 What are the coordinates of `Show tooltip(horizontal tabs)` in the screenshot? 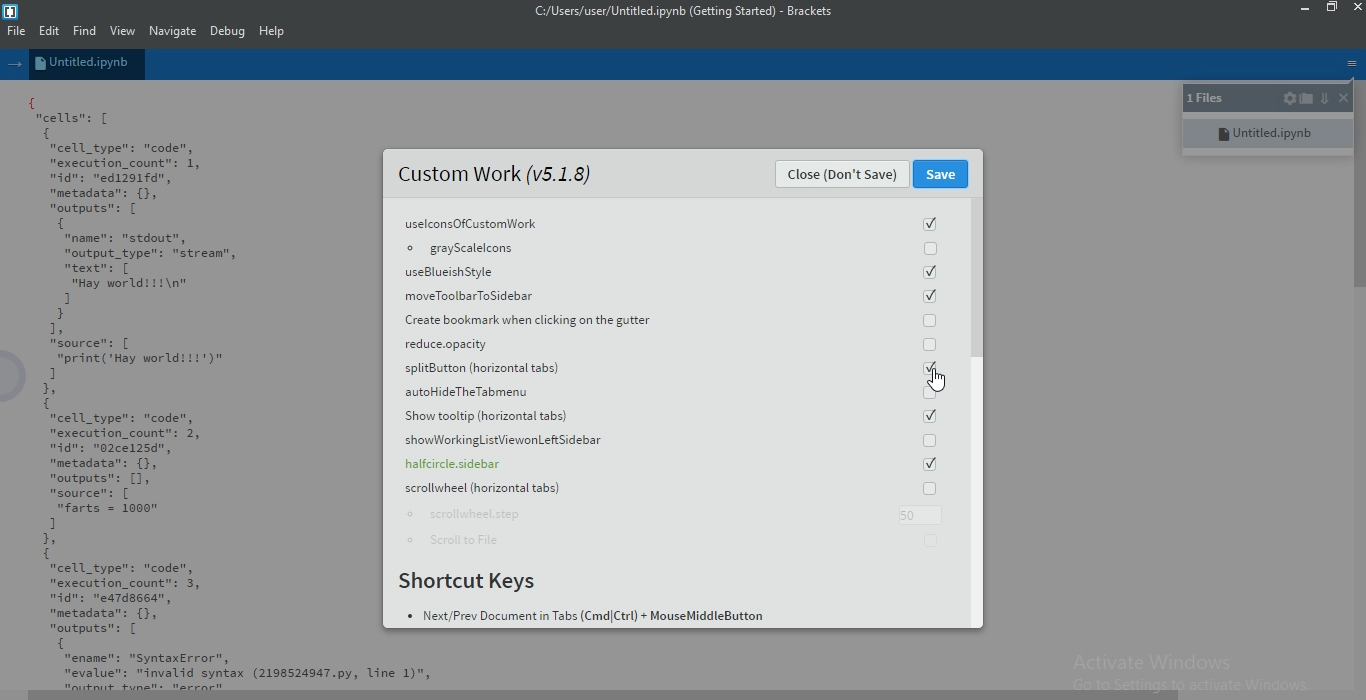 It's located at (679, 418).